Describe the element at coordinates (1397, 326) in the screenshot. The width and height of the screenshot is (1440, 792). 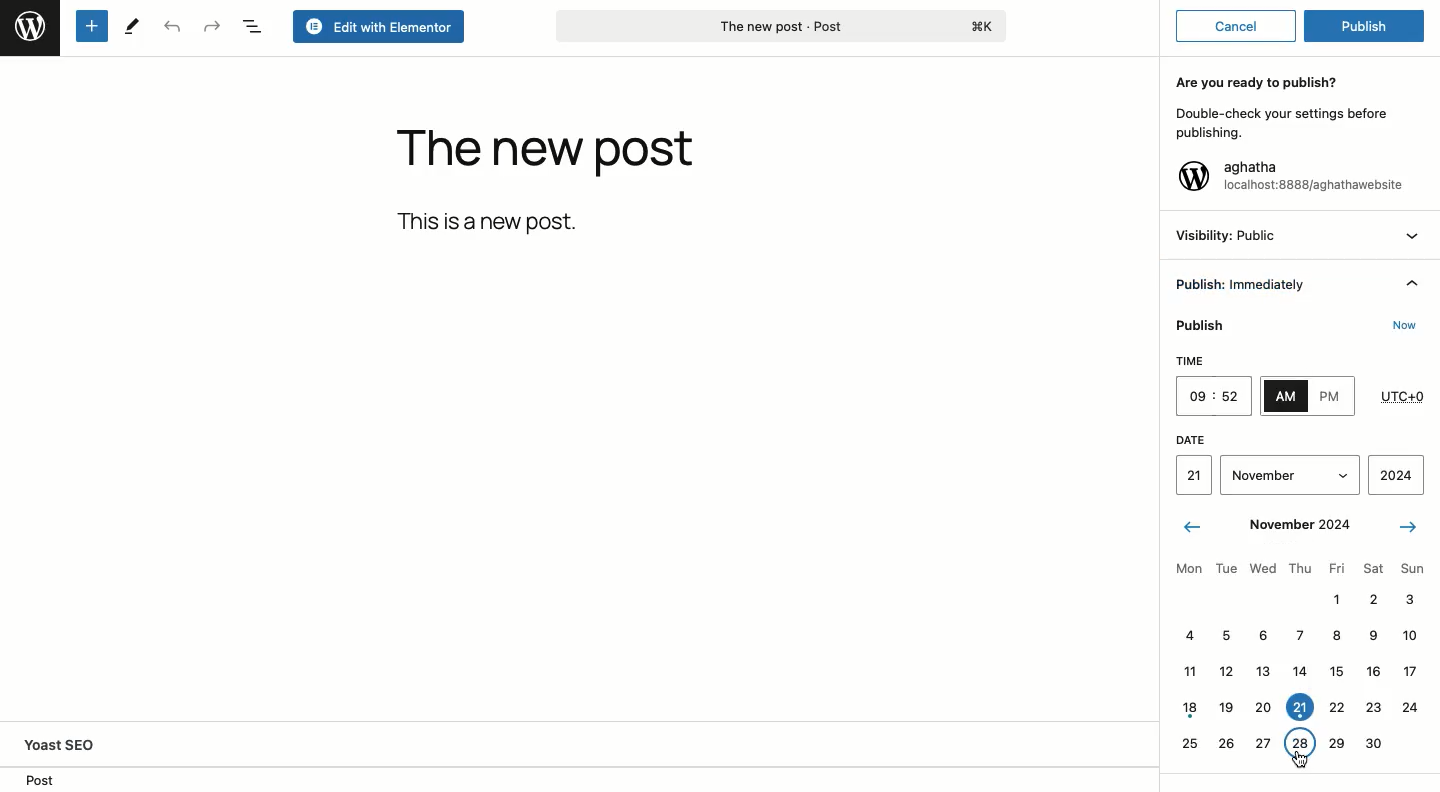
I see `Now` at that location.